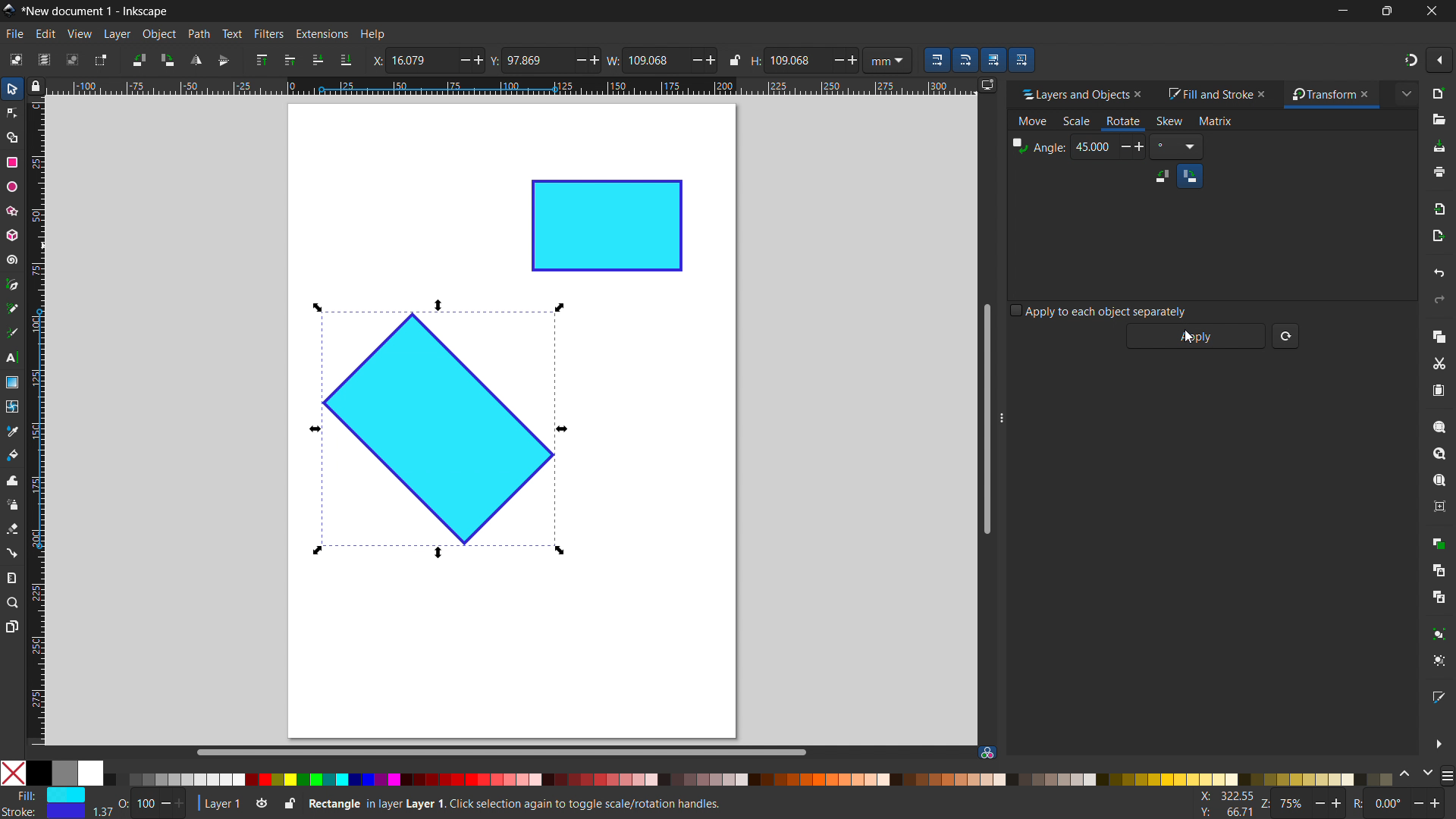 The width and height of the screenshot is (1456, 819). What do you see at coordinates (710, 59) in the screenshot?
I see `Add/ increase` at bounding box center [710, 59].